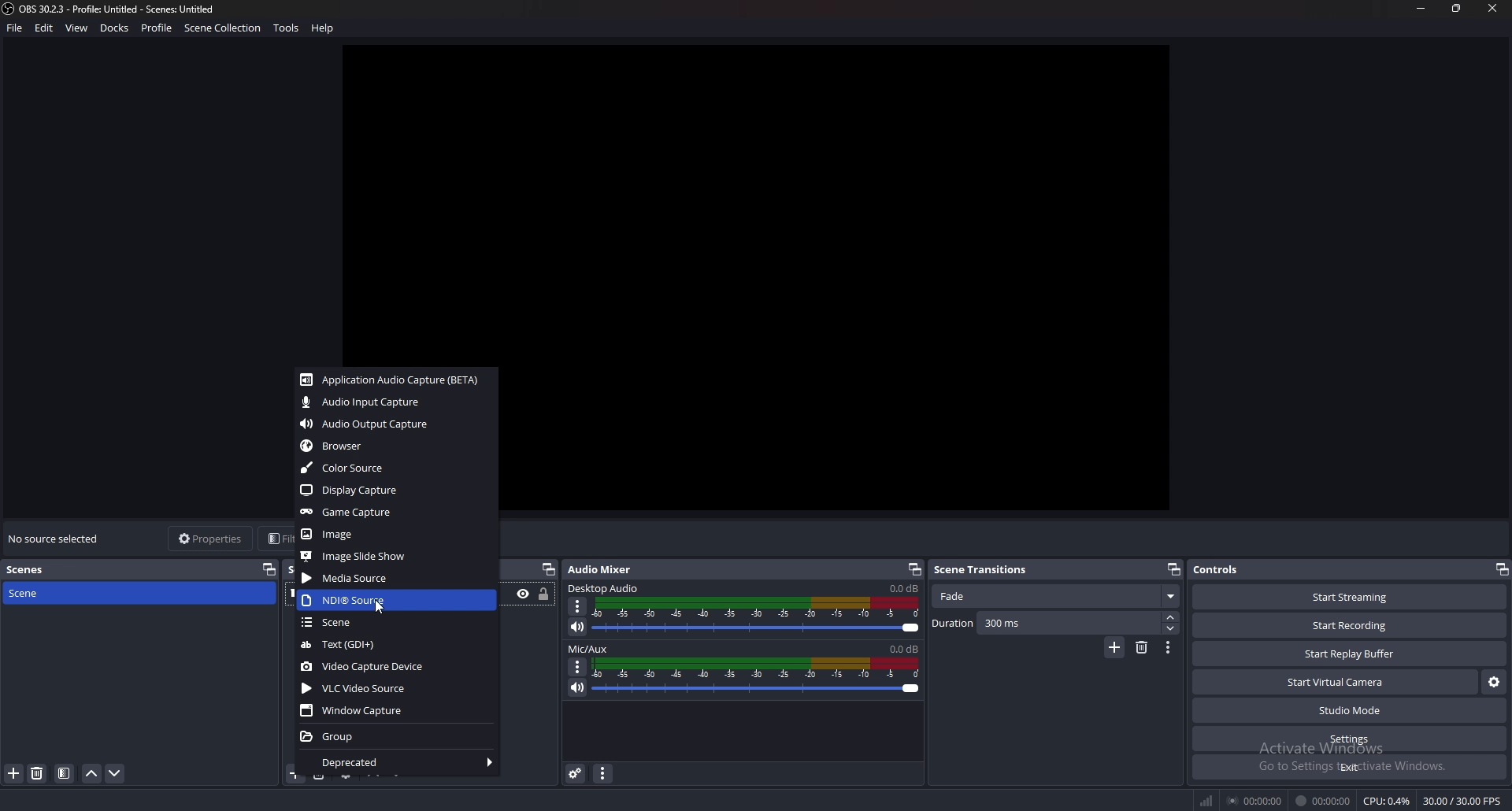  Describe the element at coordinates (1323, 801) in the screenshot. I see `recording duration` at that location.